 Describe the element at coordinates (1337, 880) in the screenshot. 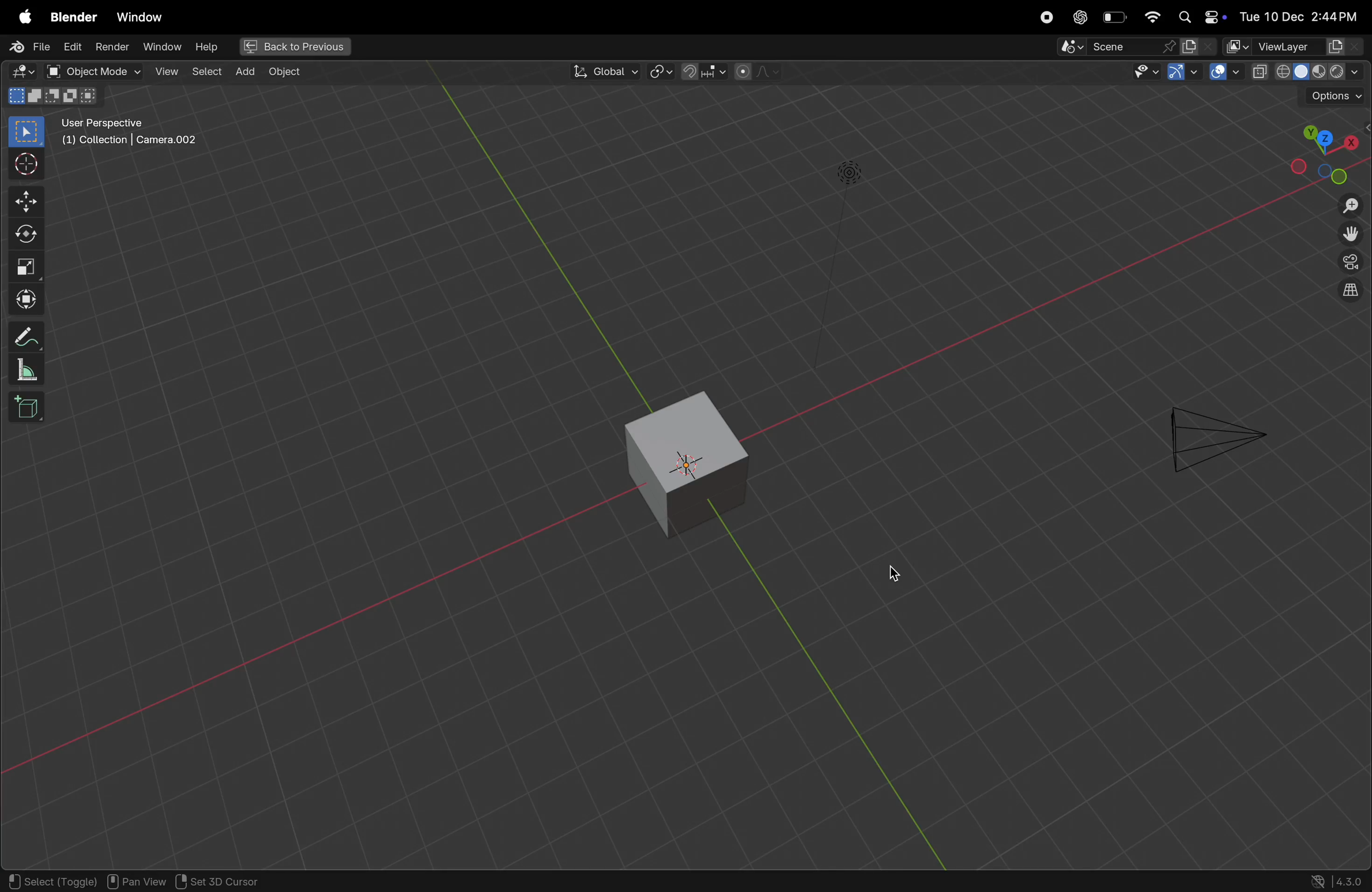

I see `version` at that location.